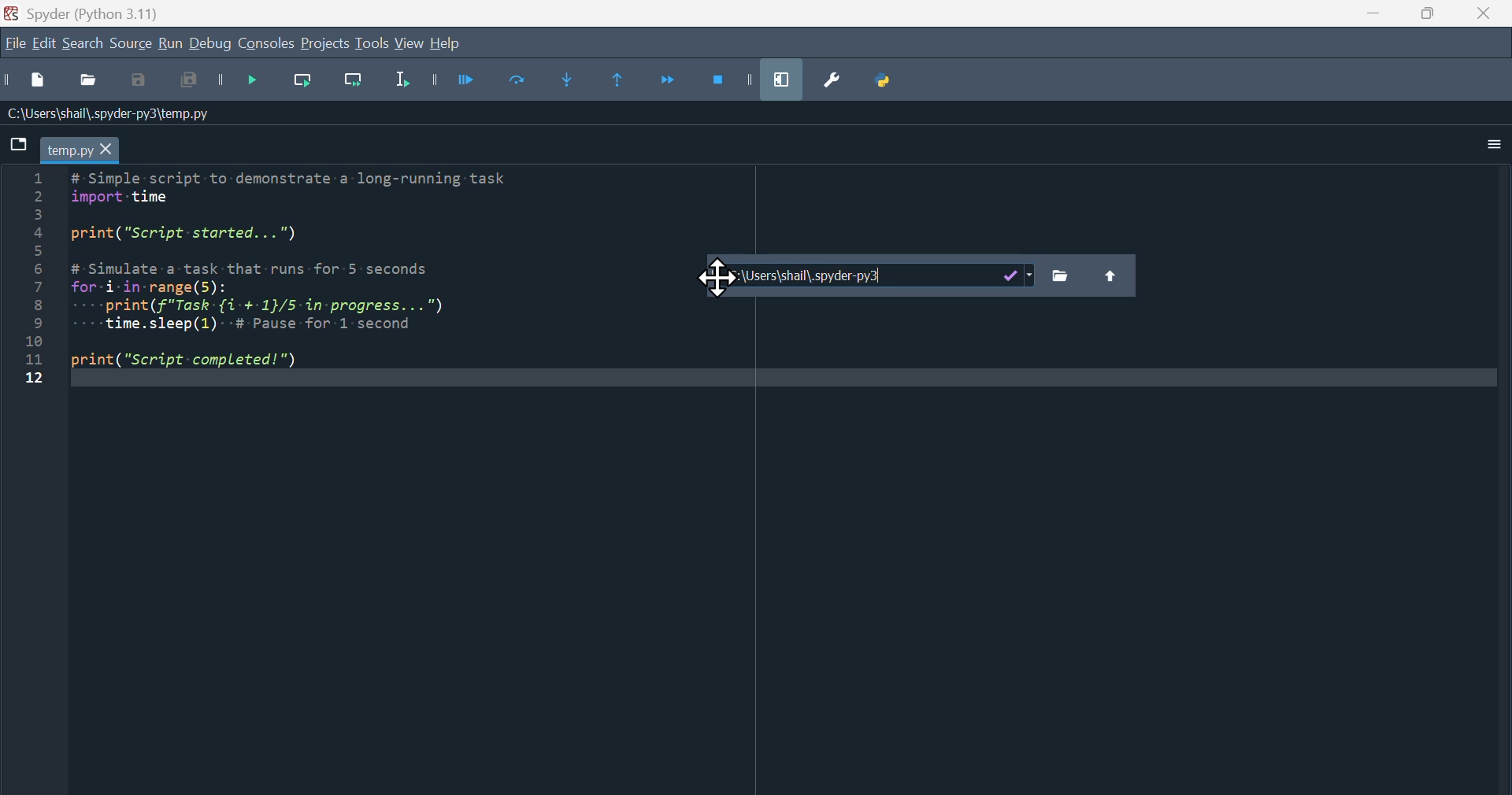 The height and width of the screenshot is (795, 1512). What do you see at coordinates (213, 48) in the screenshot?
I see `Debug` at bounding box center [213, 48].